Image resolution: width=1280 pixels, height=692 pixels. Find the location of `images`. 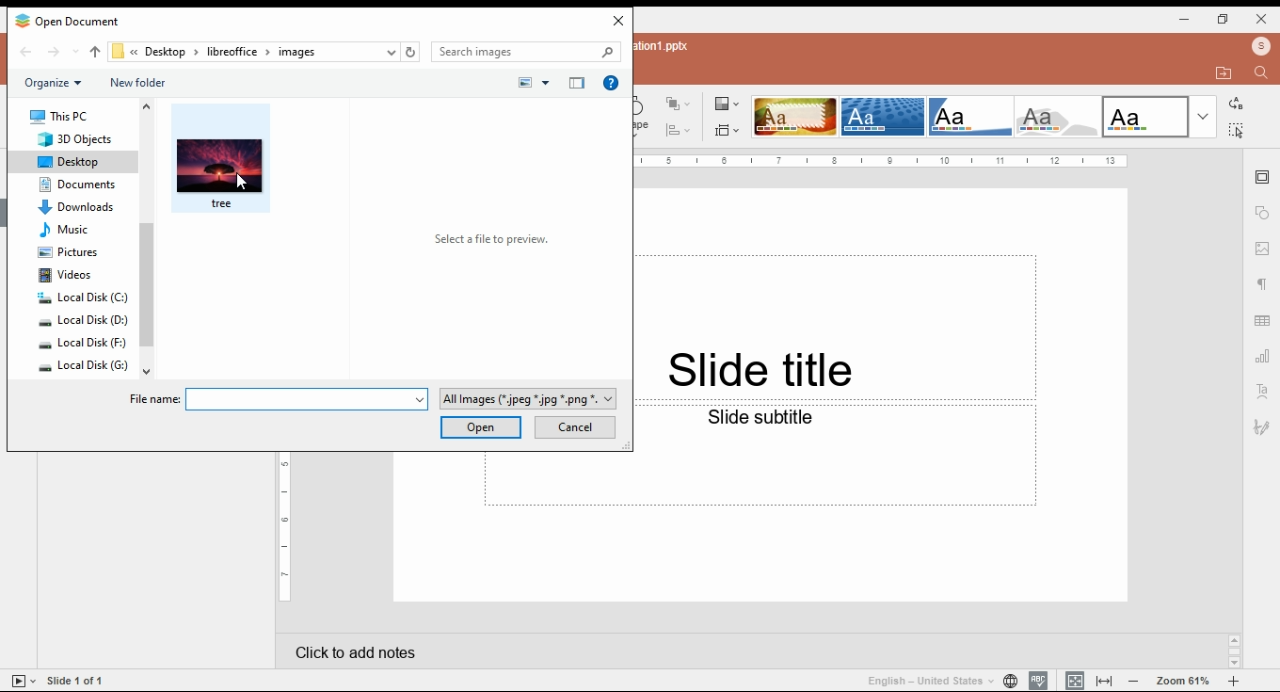

images is located at coordinates (296, 53).